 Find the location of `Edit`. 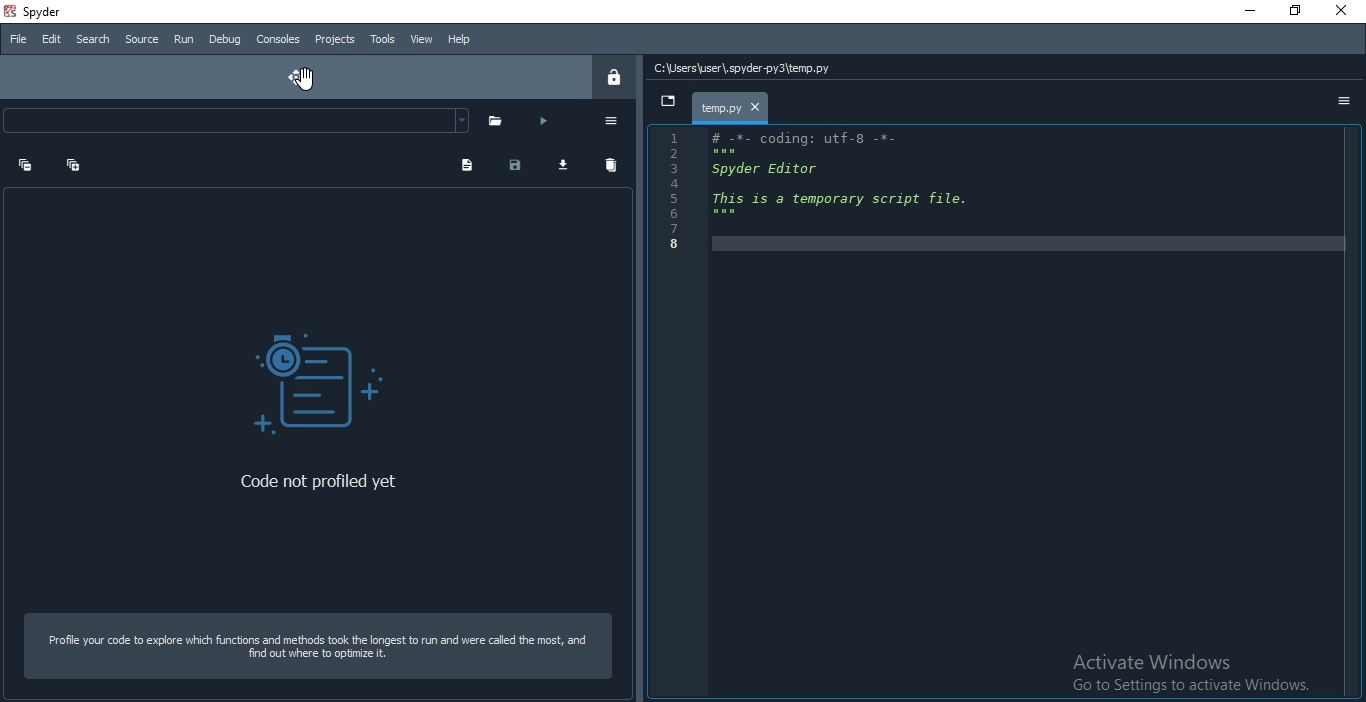

Edit is located at coordinates (50, 38).